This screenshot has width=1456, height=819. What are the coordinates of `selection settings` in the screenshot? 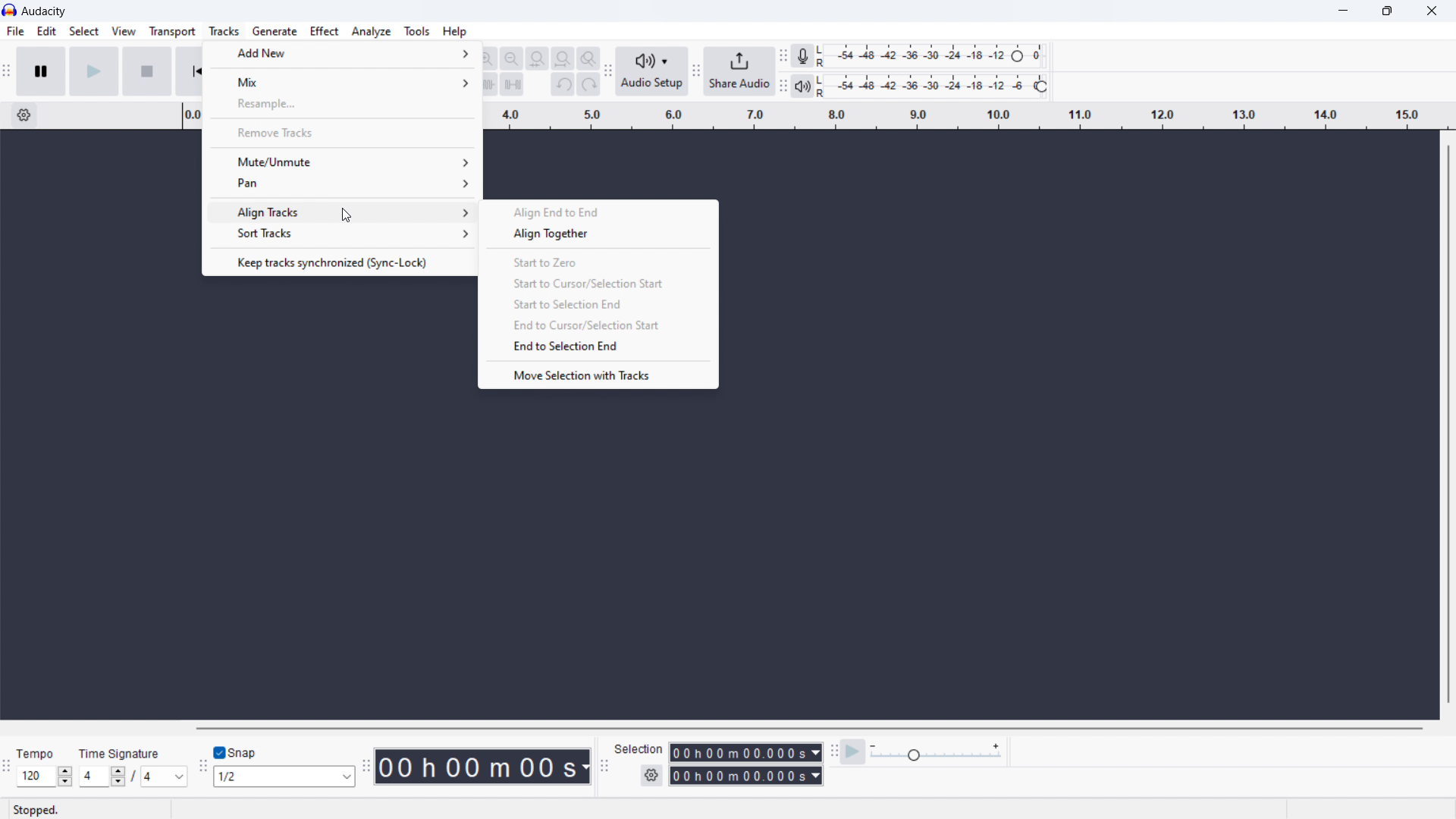 It's located at (651, 776).